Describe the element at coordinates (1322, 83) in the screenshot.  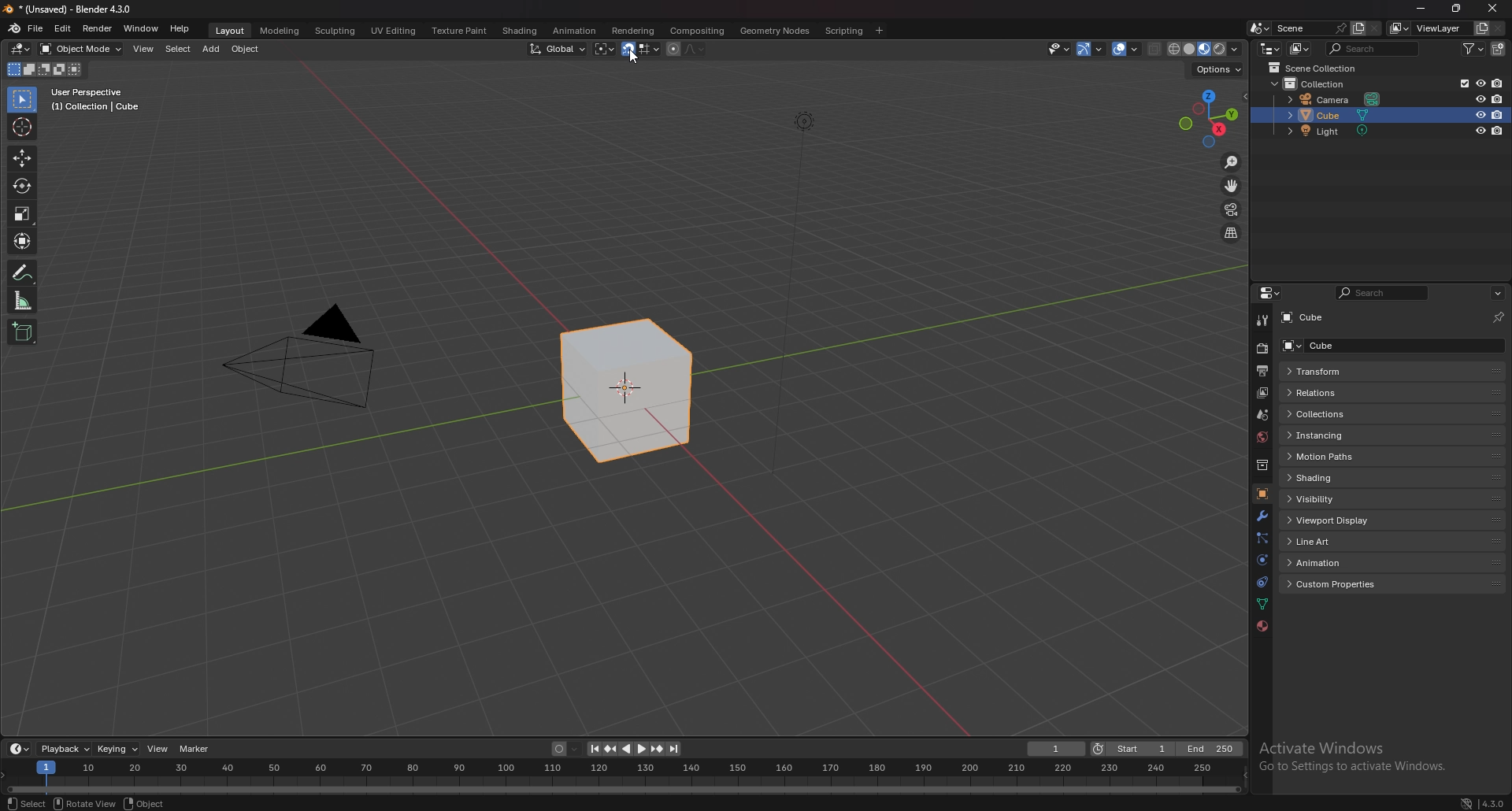
I see `collection` at that location.